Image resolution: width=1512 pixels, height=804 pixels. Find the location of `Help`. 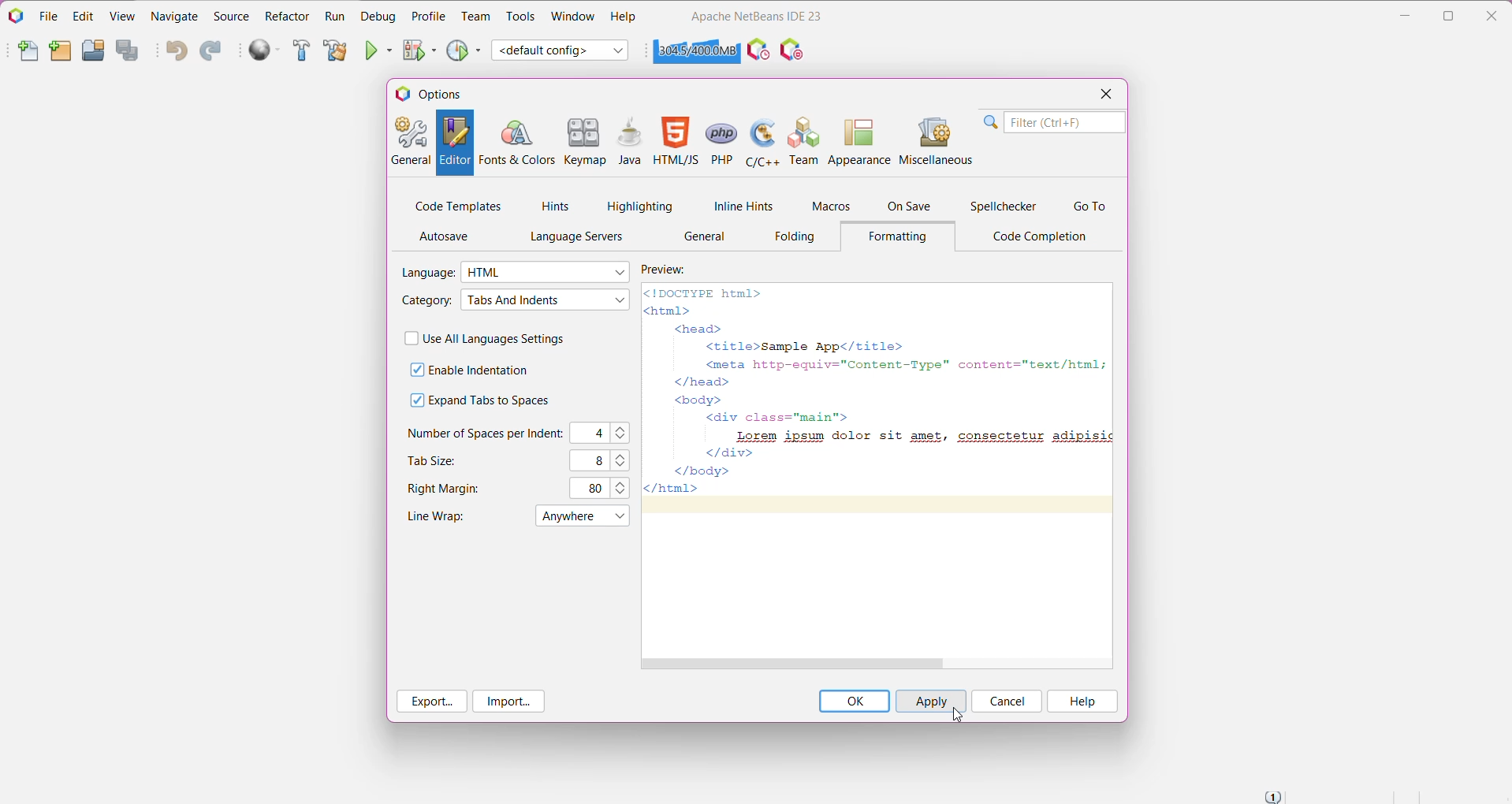

Help is located at coordinates (1082, 702).